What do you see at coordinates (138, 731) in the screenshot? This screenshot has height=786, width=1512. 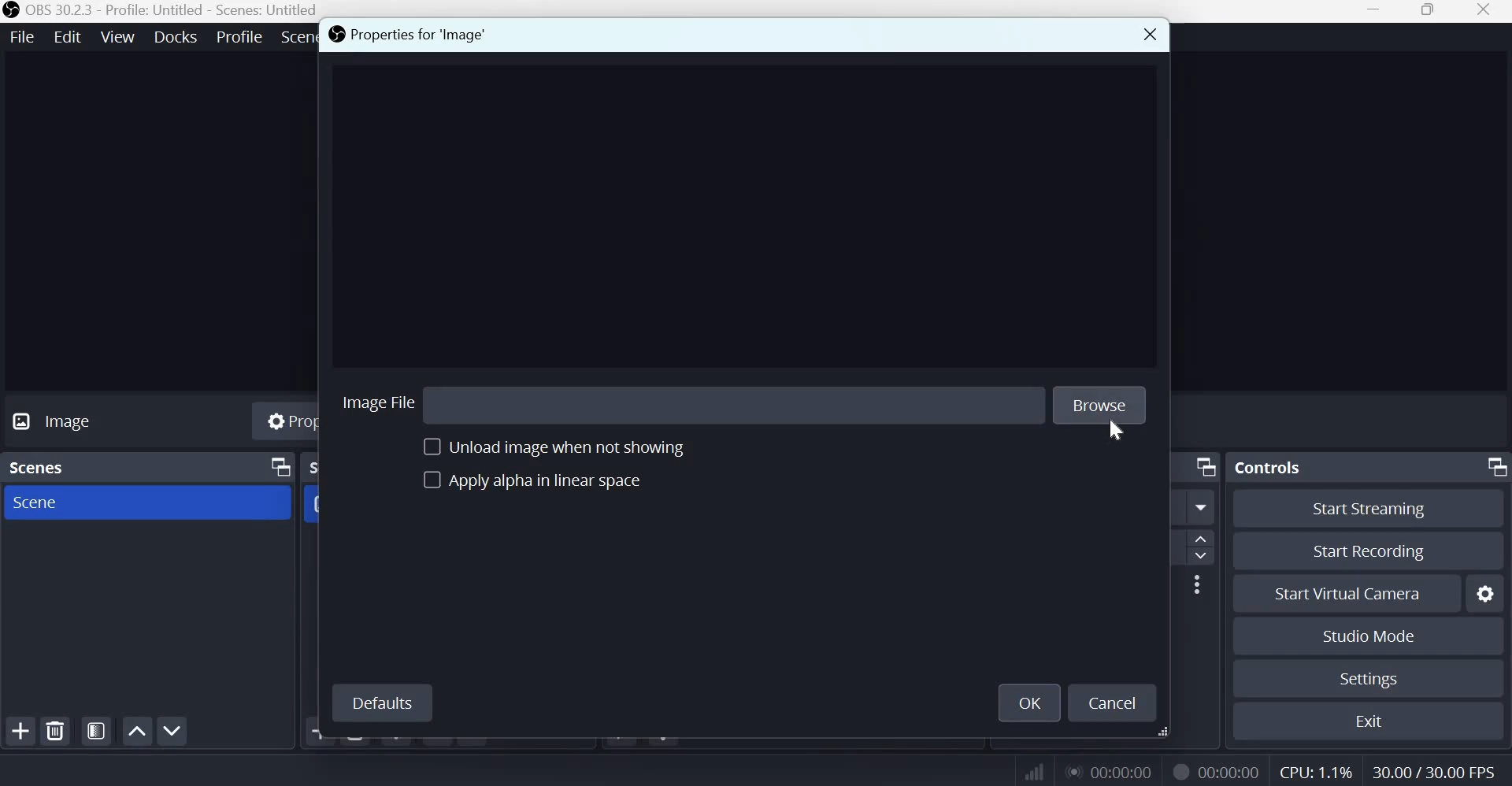 I see `Move scene up` at bounding box center [138, 731].